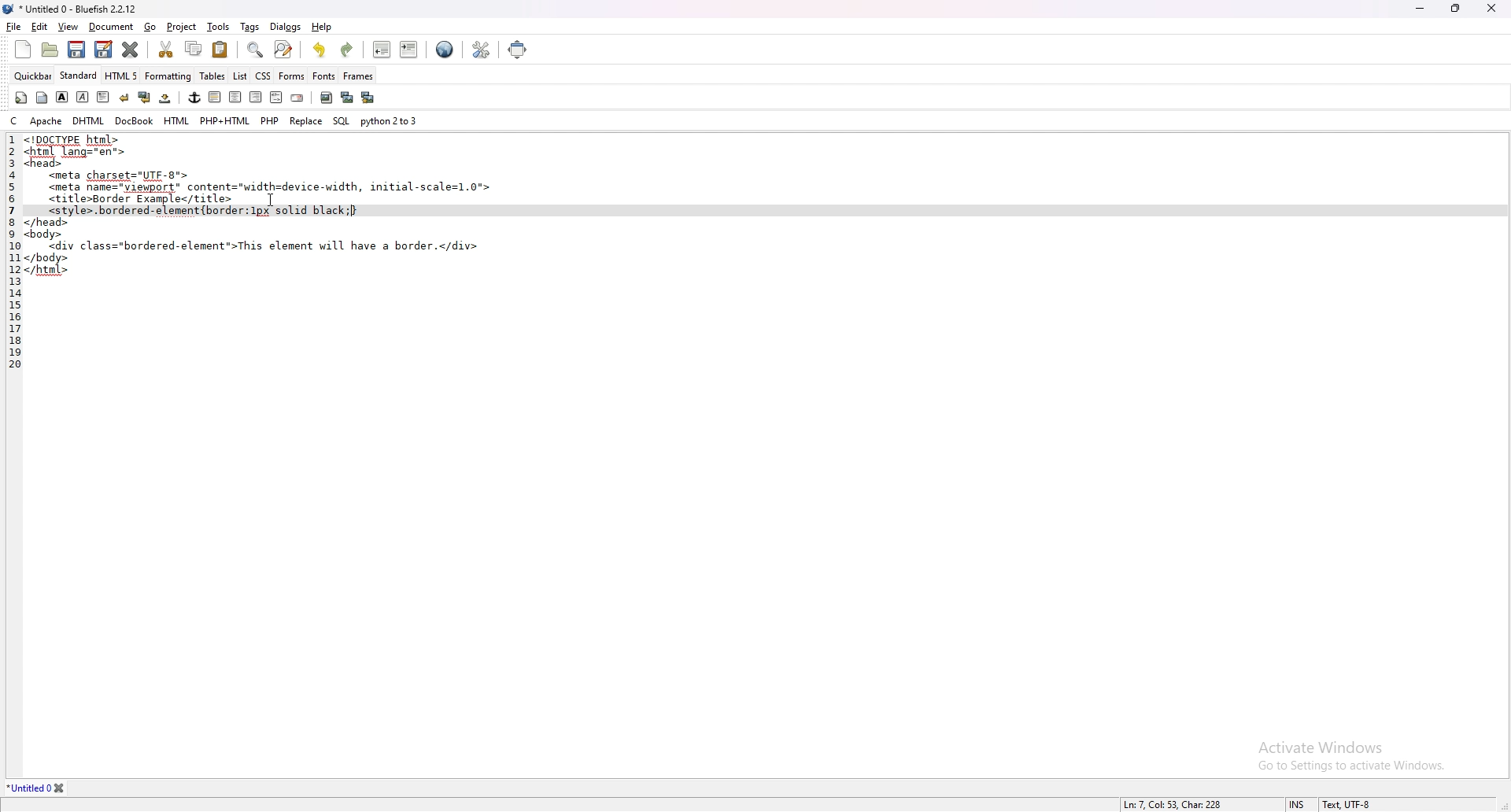  Describe the element at coordinates (194, 98) in the screenshot. I see `anchor` at that location.